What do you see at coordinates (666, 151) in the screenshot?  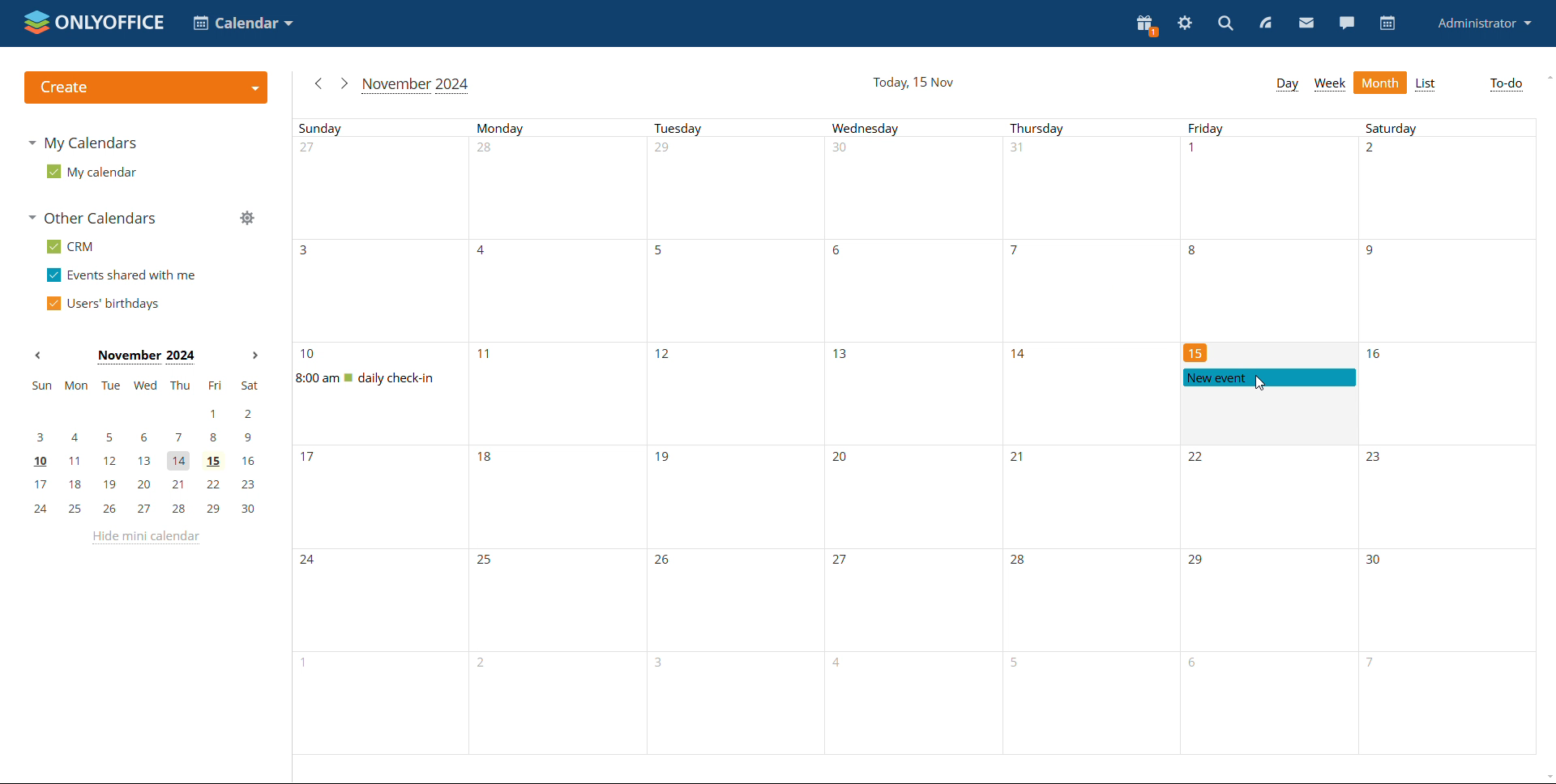 I see `Number` at bounding box center [666, 151].